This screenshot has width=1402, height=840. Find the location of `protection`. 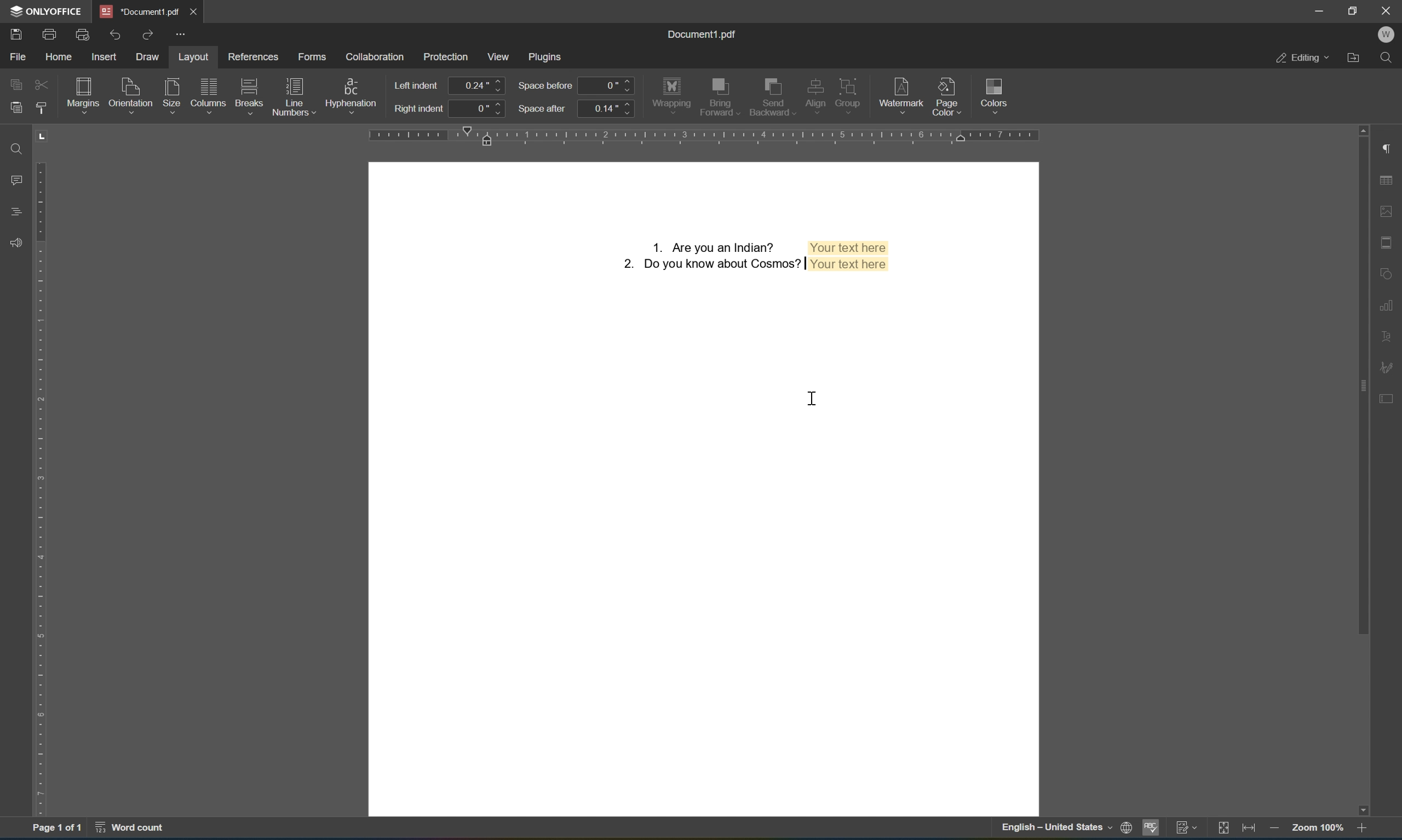

protection is located at coordinates (447, 57).